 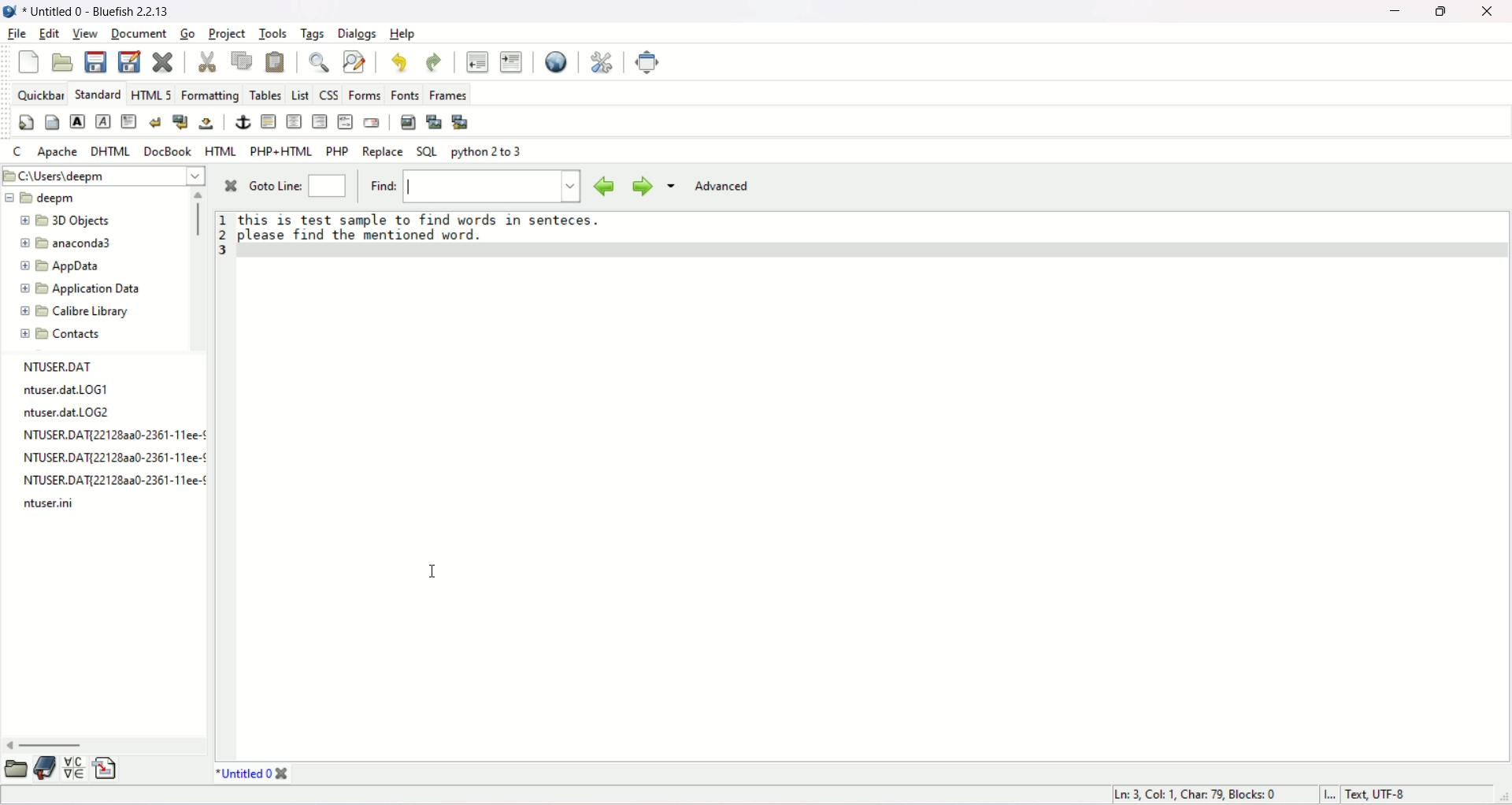 I want to click on break and clear, so click(x=180, y=123).